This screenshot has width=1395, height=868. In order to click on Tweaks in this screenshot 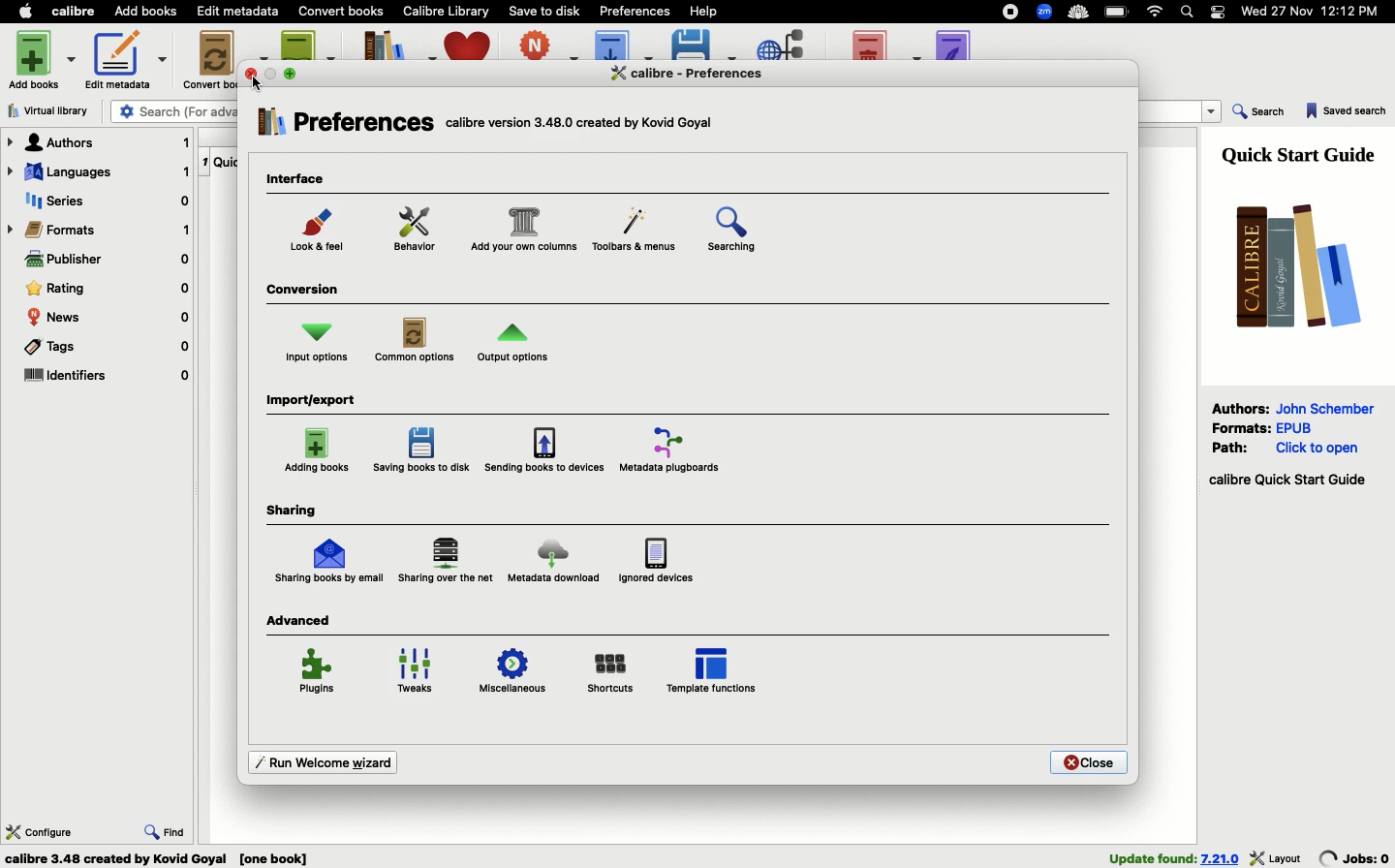, I will do `click(420, 672)`.